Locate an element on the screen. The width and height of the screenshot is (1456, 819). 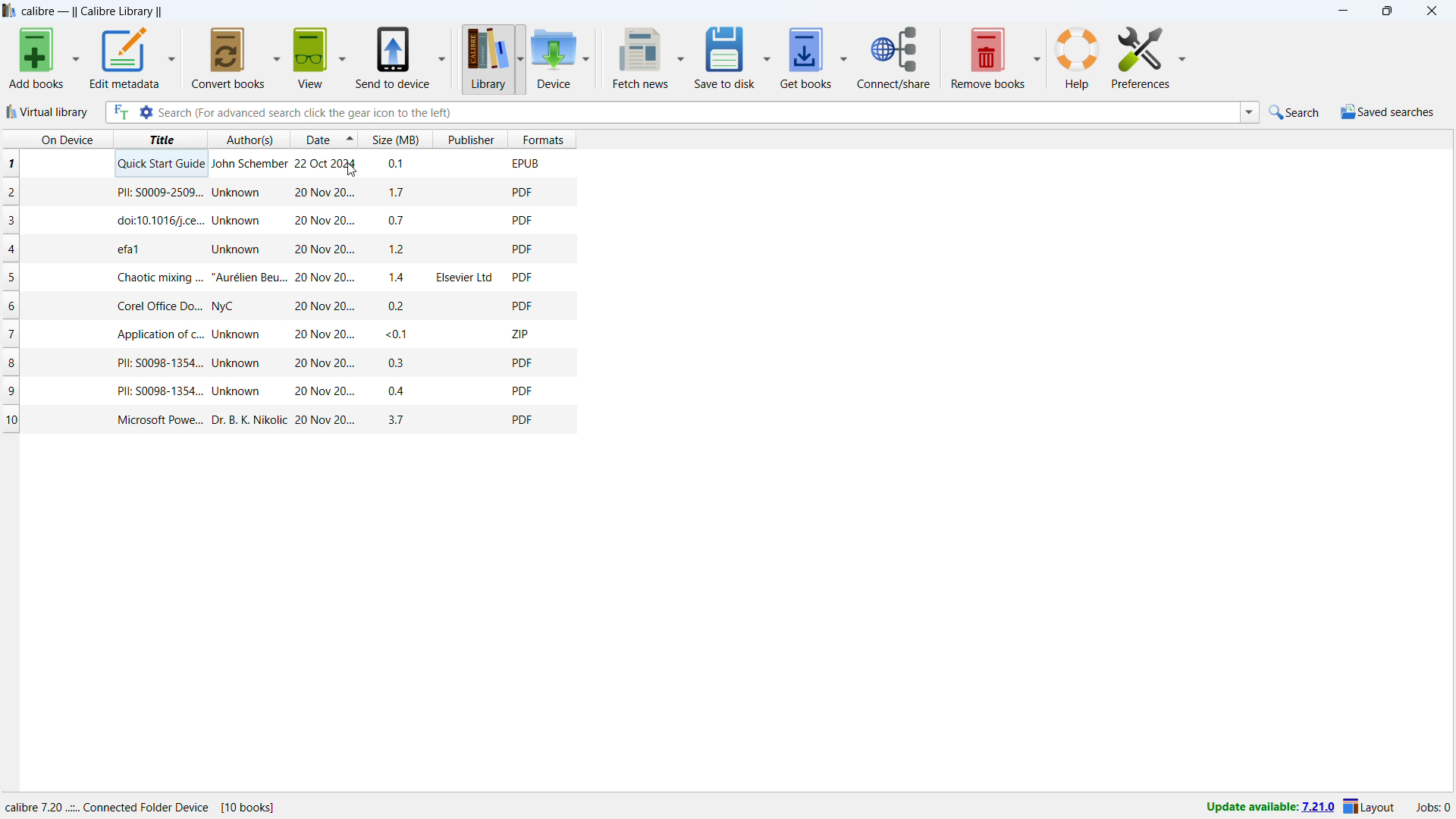
sort by date is located at coordinates (324, 139).